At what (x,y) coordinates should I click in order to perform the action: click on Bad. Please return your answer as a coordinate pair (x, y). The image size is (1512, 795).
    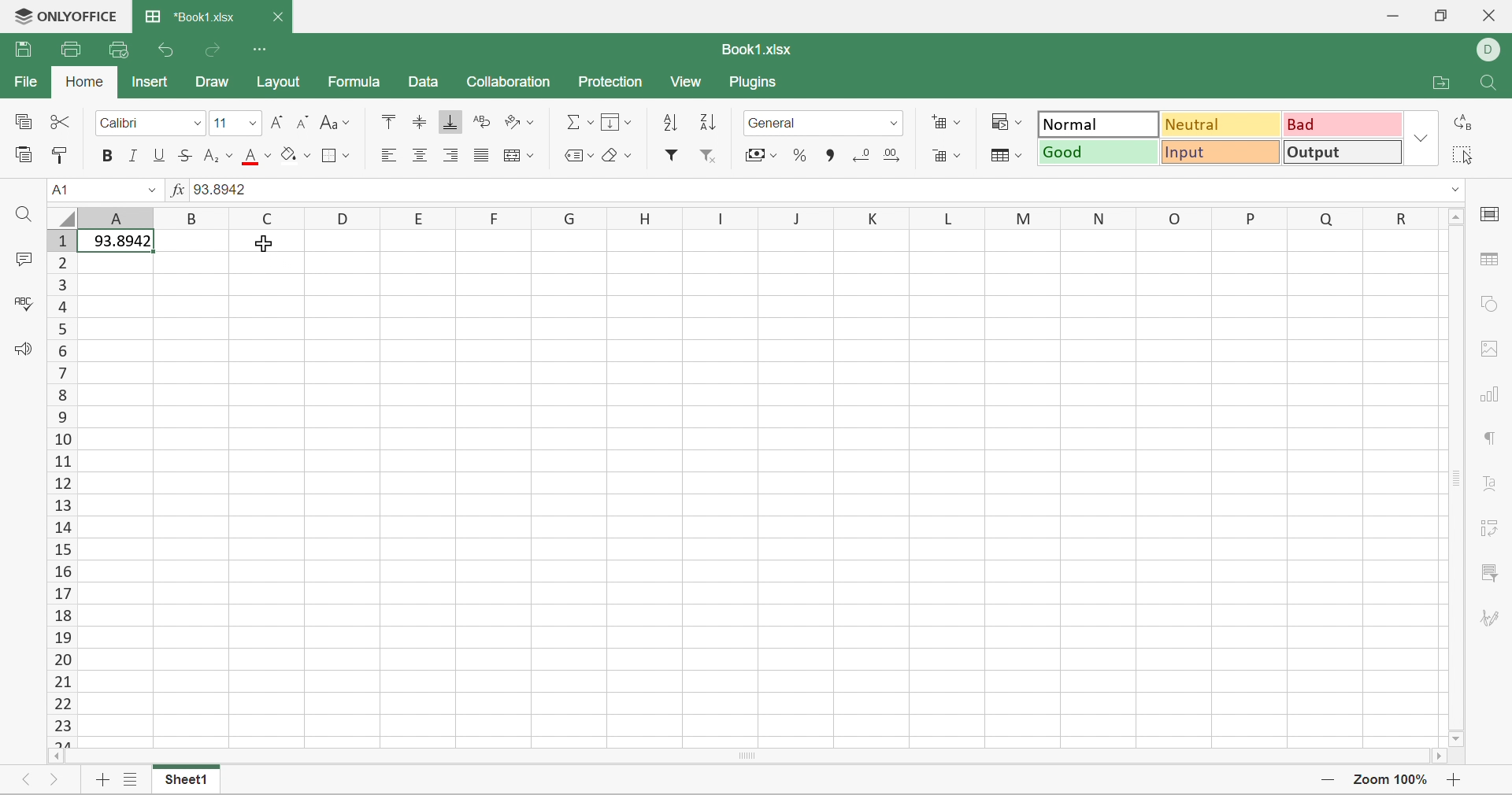
    Looking at the image, I should click on (1344, 123).